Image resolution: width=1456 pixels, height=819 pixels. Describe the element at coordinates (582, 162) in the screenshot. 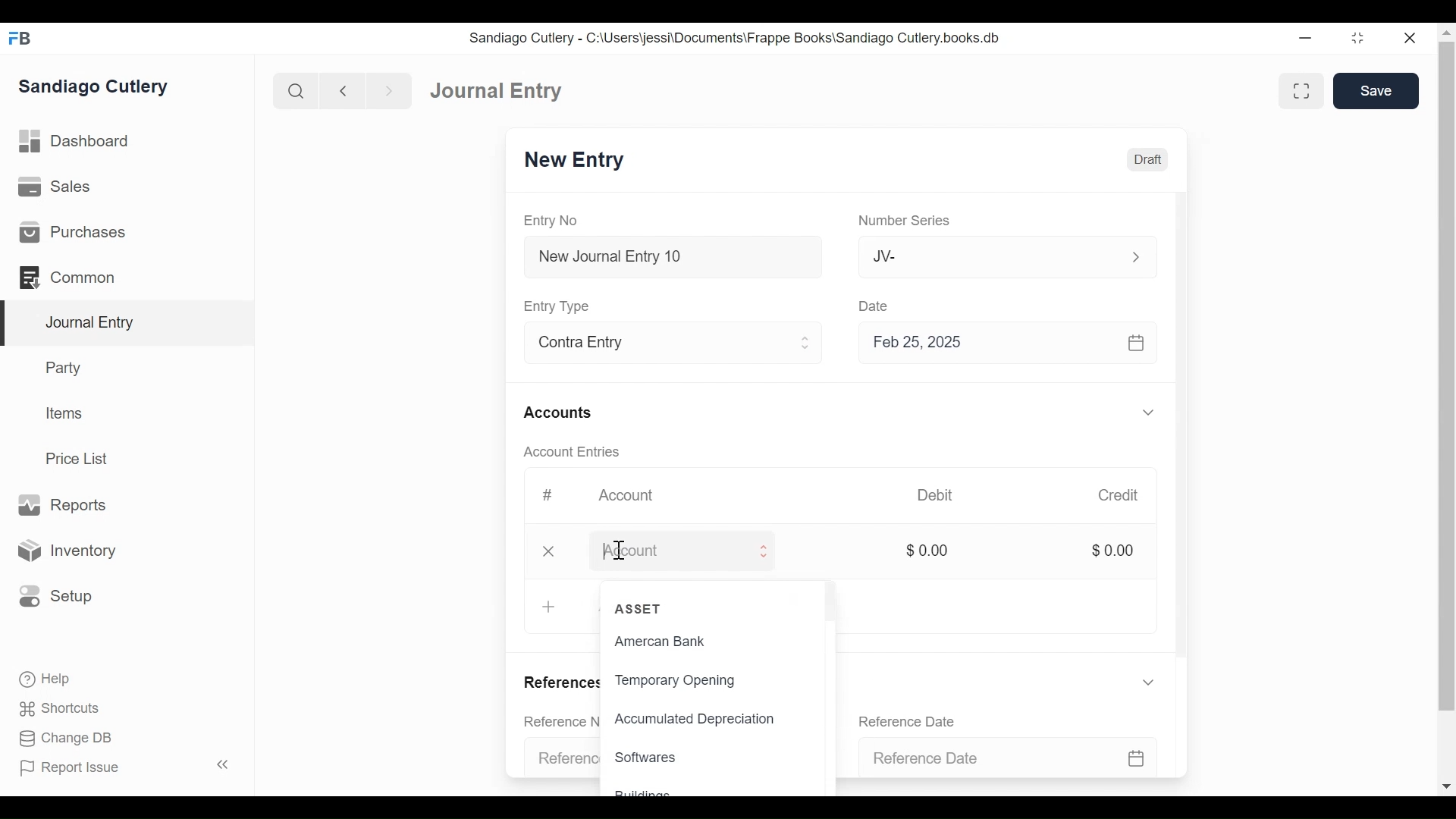

I see `New Entry` at that location.